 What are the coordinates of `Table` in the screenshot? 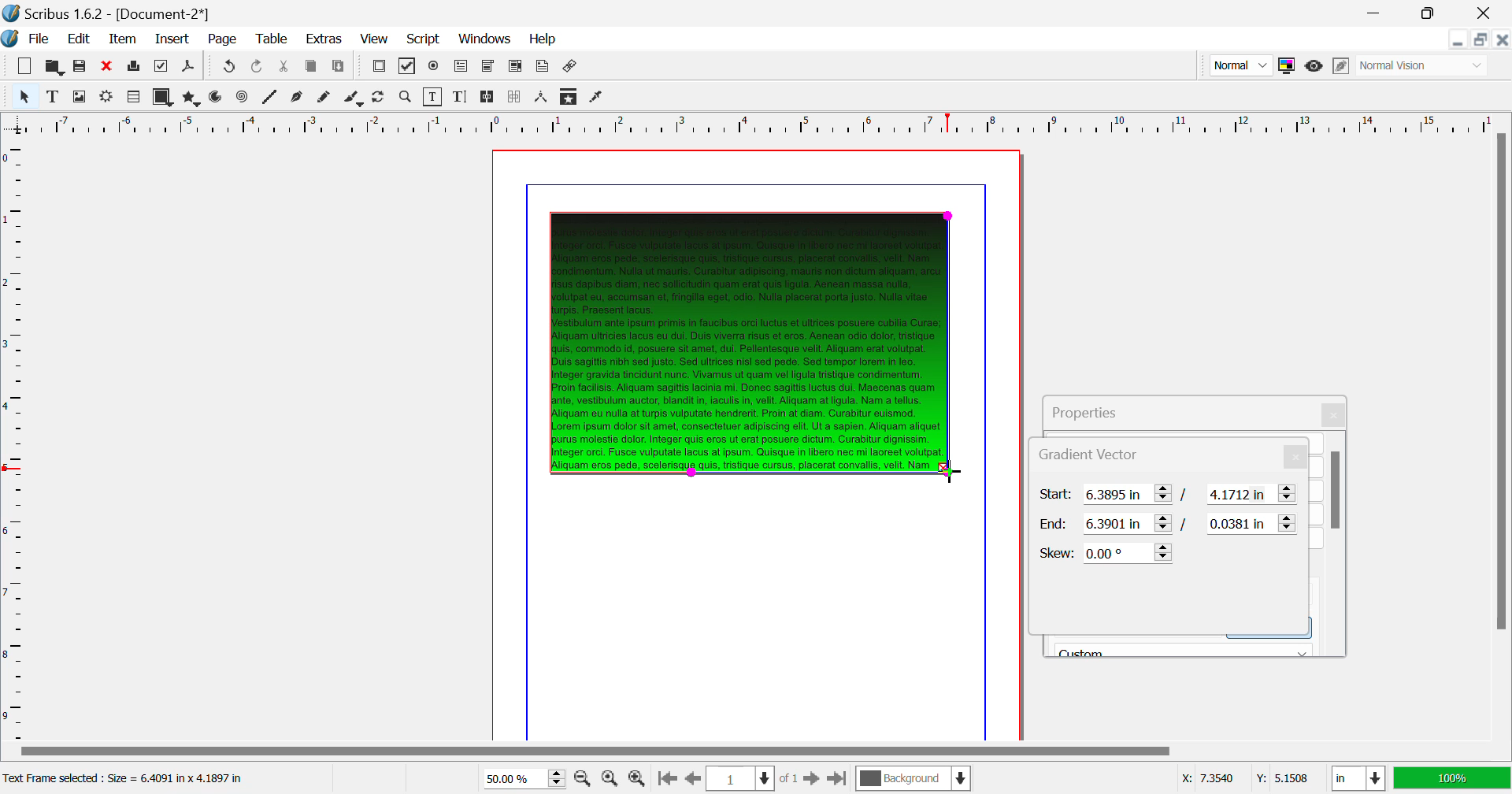 It's located at (273, 40).